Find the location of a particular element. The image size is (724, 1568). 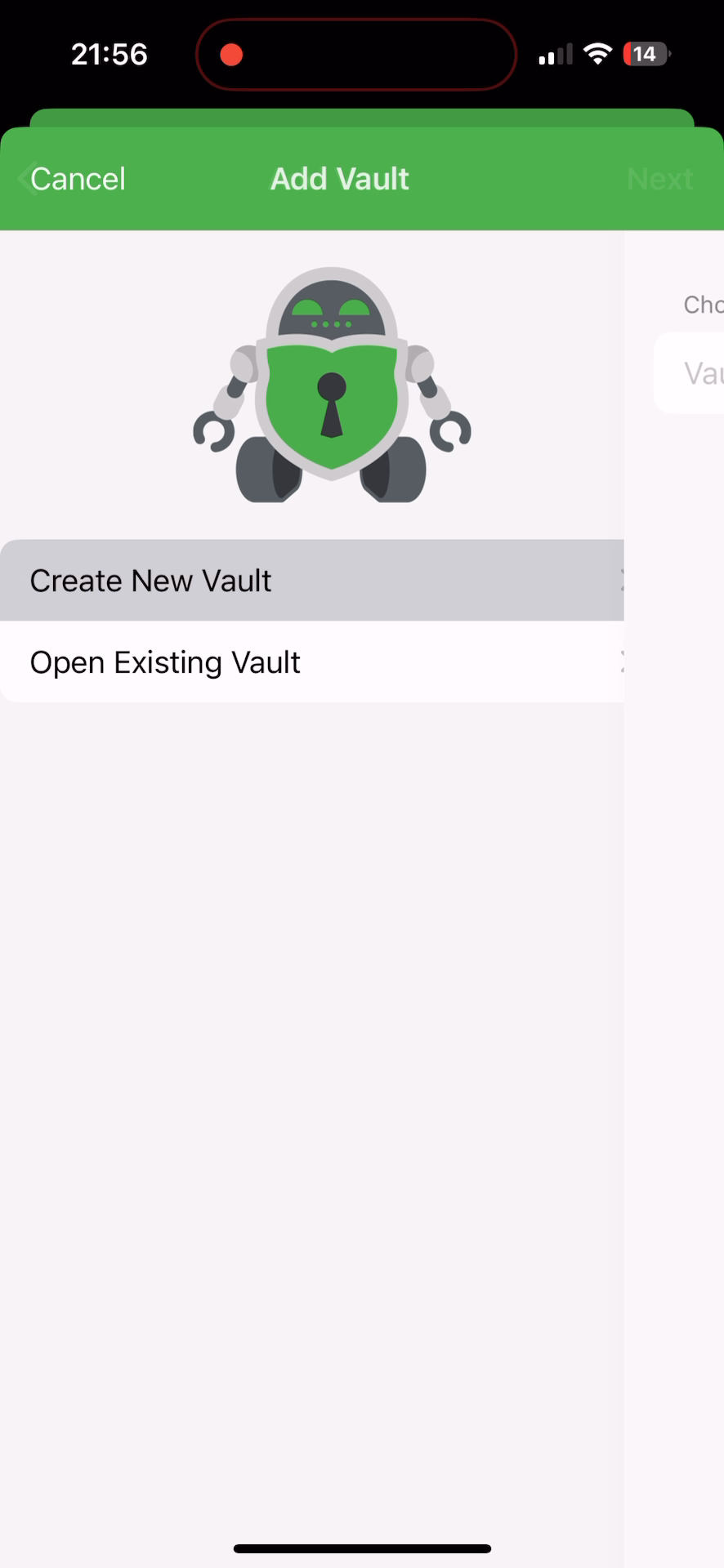

Open Existing Vault is located at coordinates (160, 578).